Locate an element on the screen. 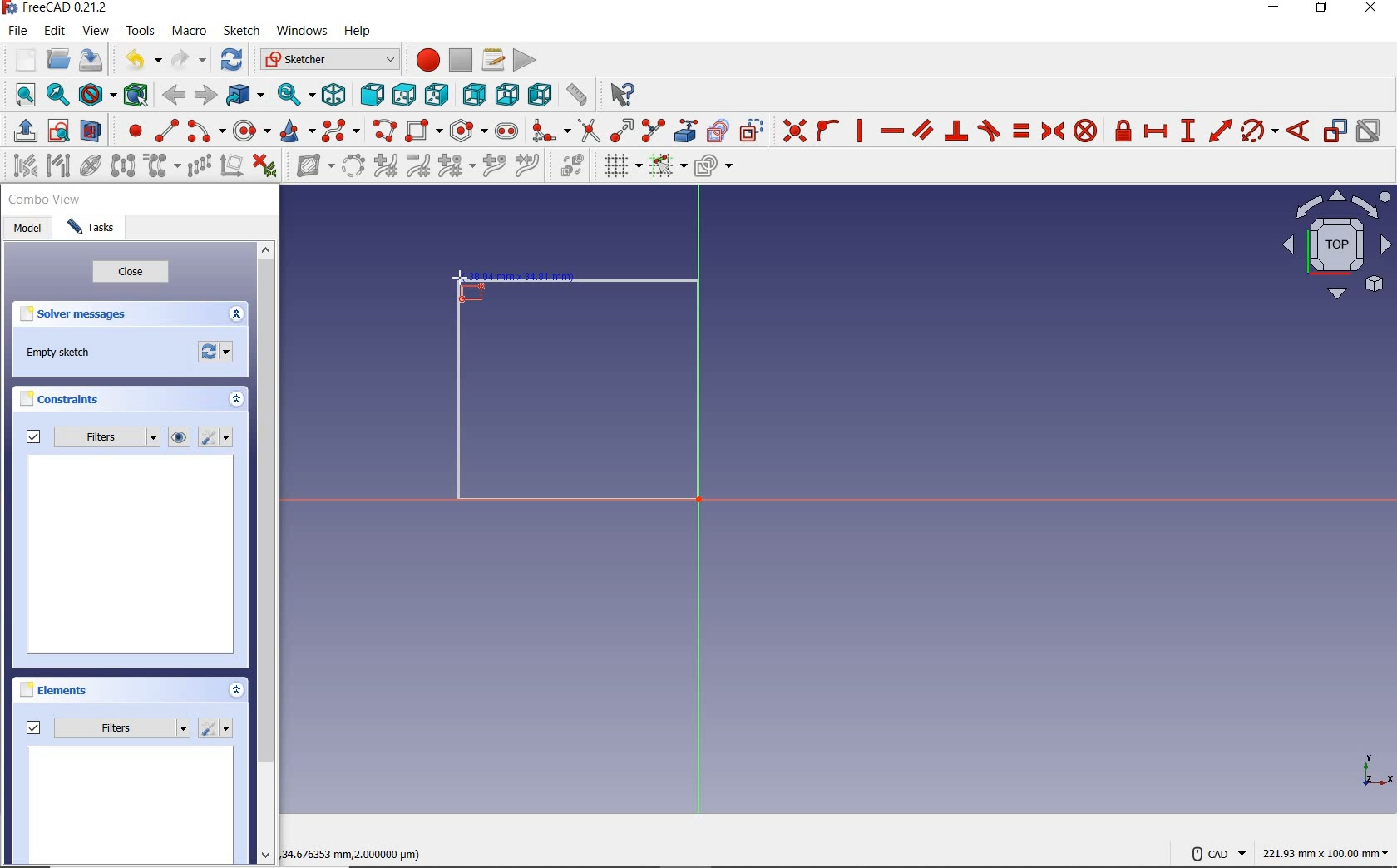  expand is located at coordinates (236, 314).